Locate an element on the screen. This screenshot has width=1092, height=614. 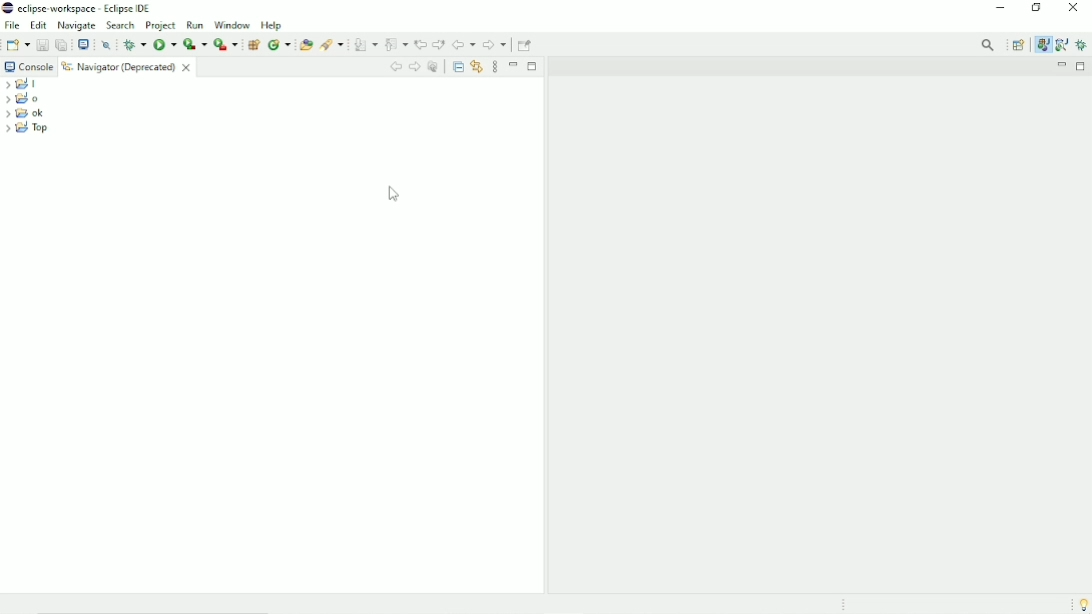
Project is located at coordinates (161, 25).